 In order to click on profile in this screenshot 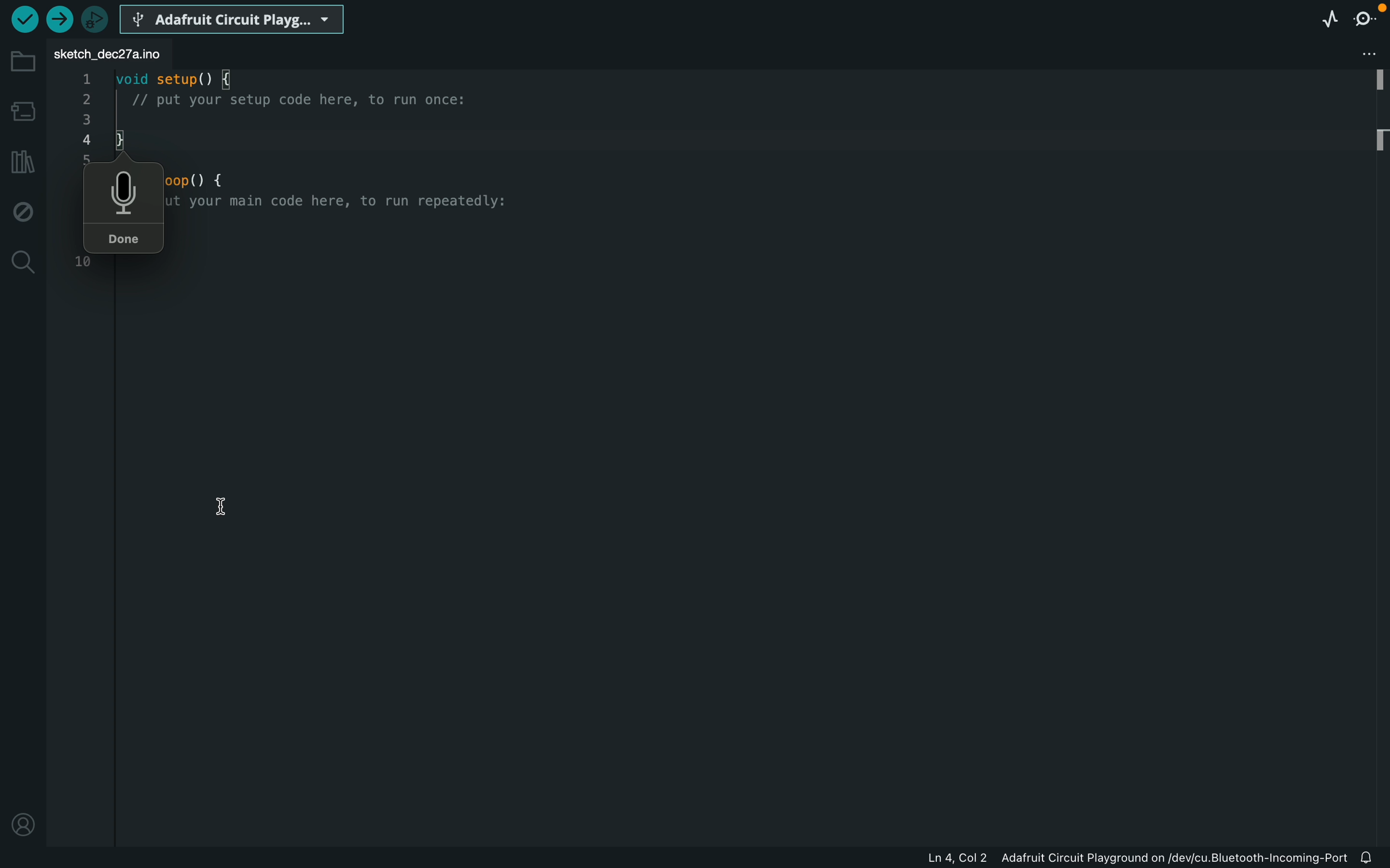, I will do `click(23, 823)`.